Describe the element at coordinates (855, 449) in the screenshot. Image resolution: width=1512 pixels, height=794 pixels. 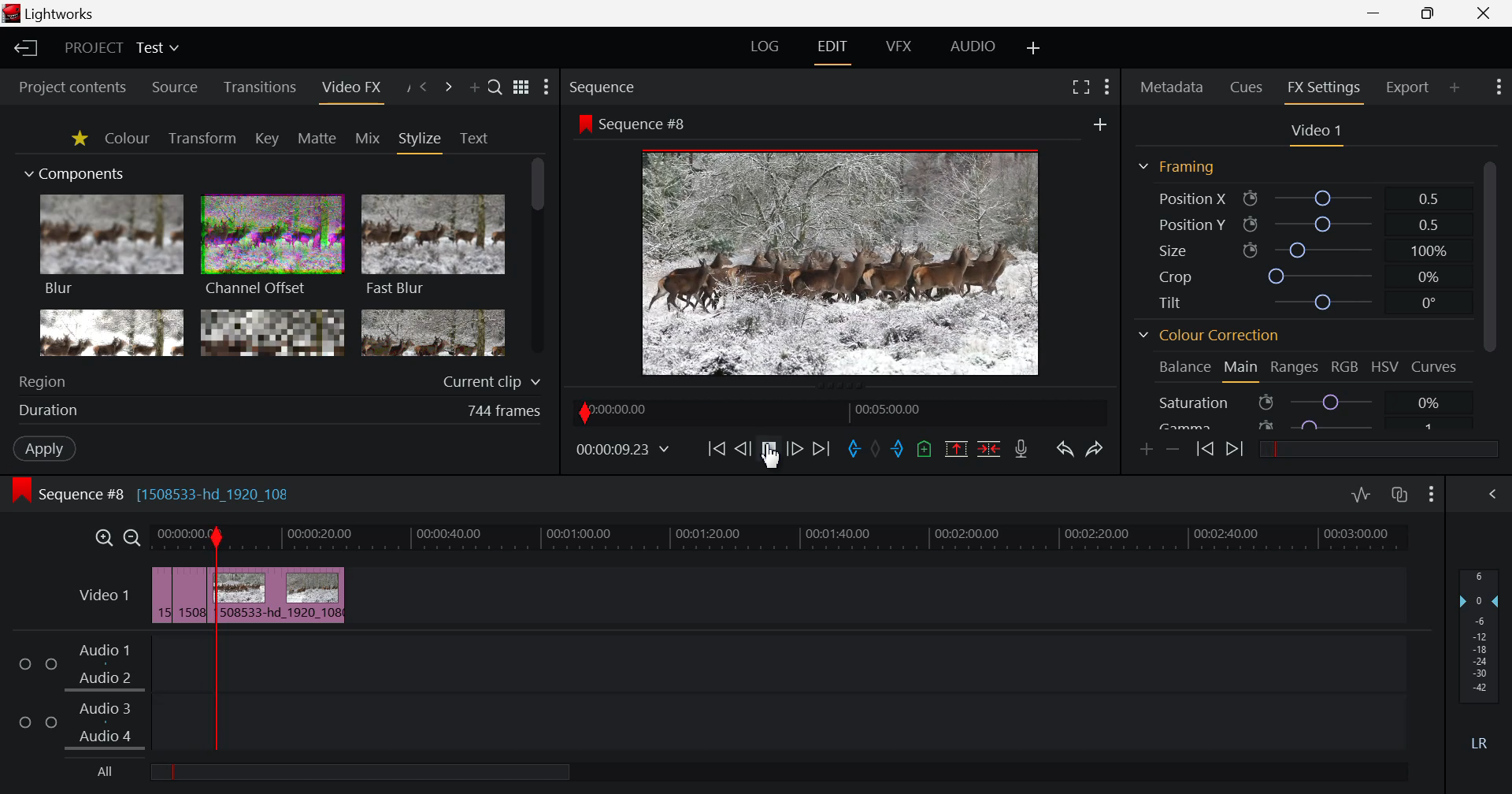
I see `Mark In` at that location.